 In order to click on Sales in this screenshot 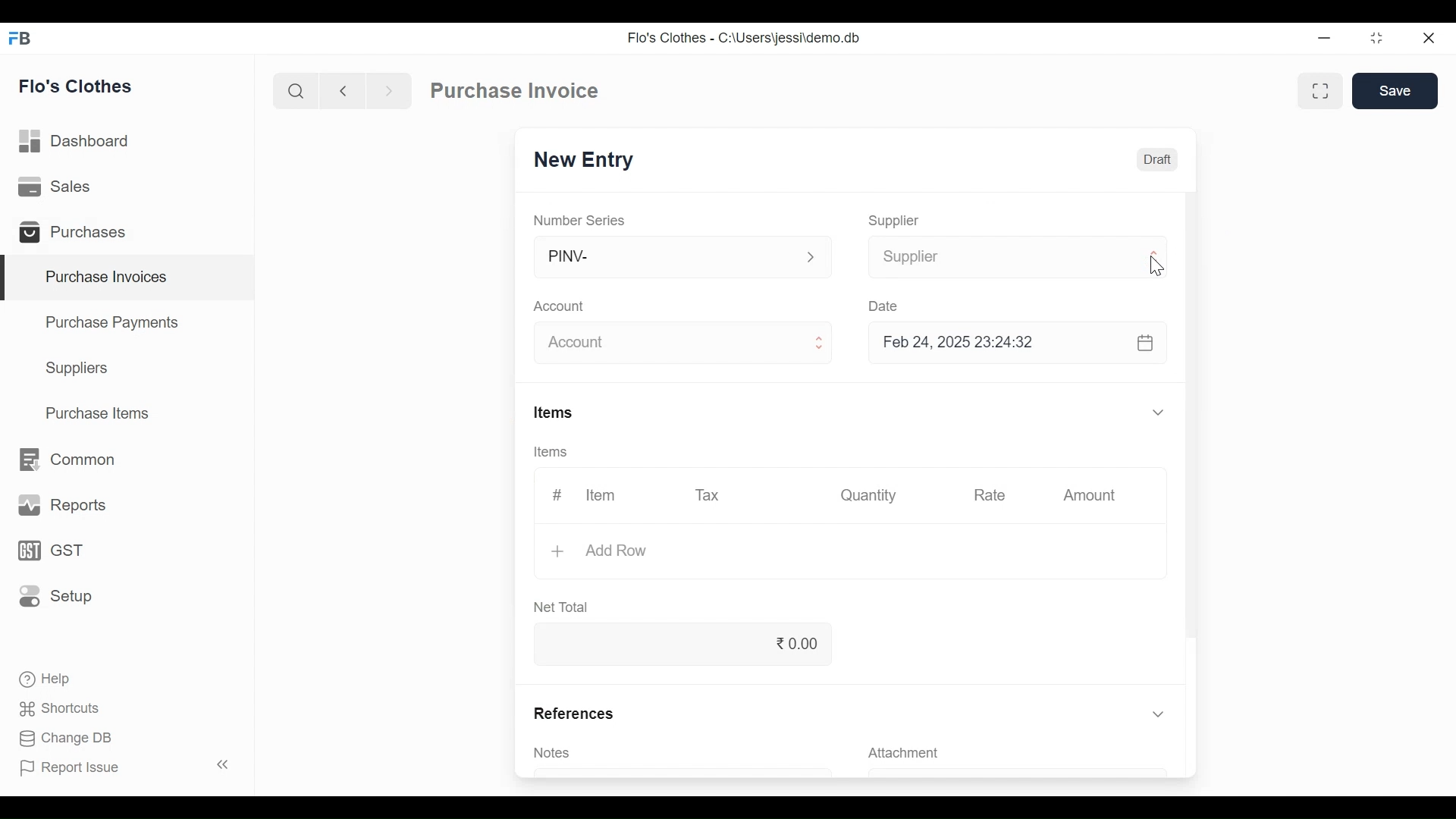, I will do `click(61, 188)`.